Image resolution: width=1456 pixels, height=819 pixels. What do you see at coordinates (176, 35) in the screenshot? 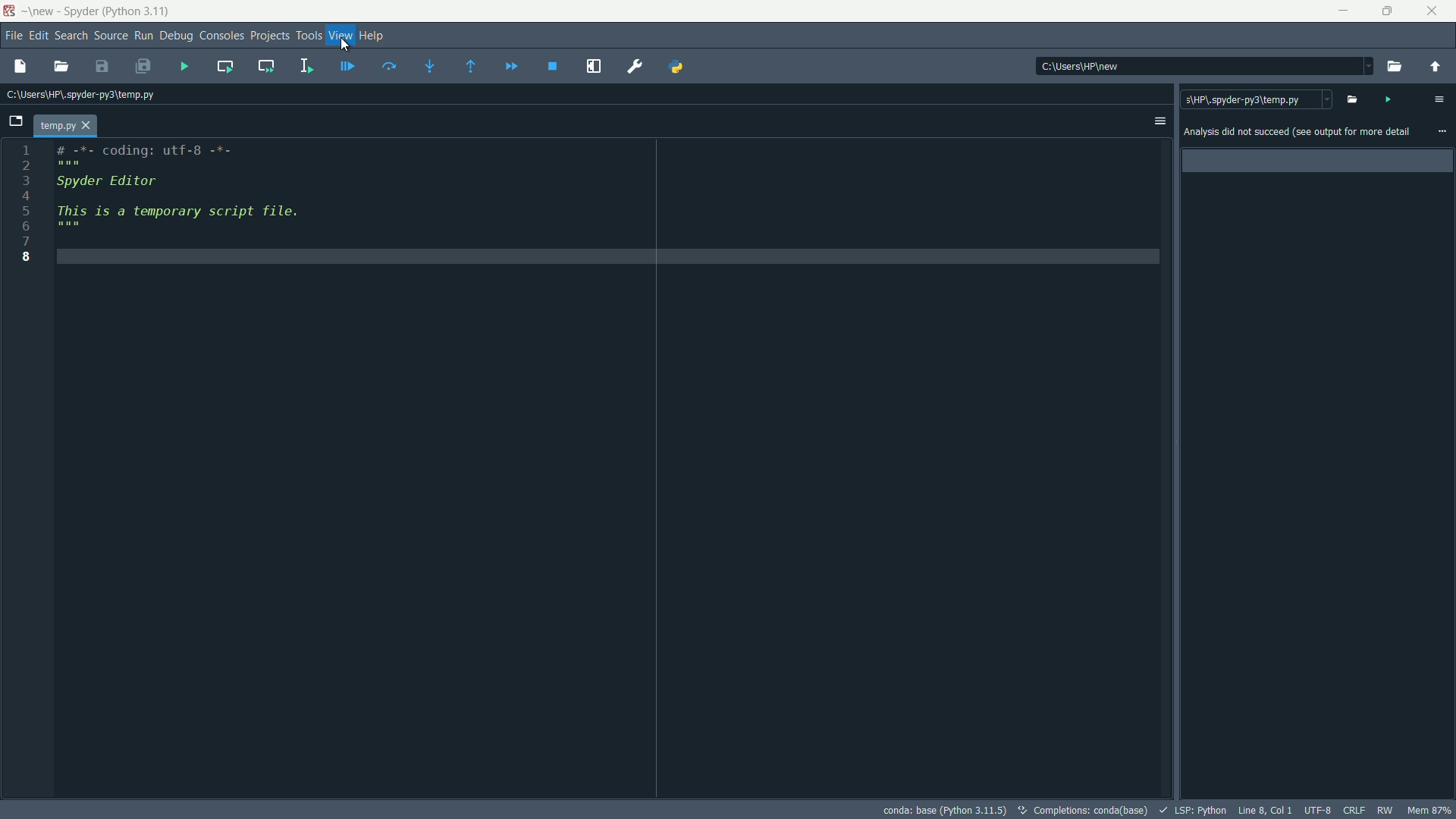
I see `debug menu` at bounding box center [176, 35].